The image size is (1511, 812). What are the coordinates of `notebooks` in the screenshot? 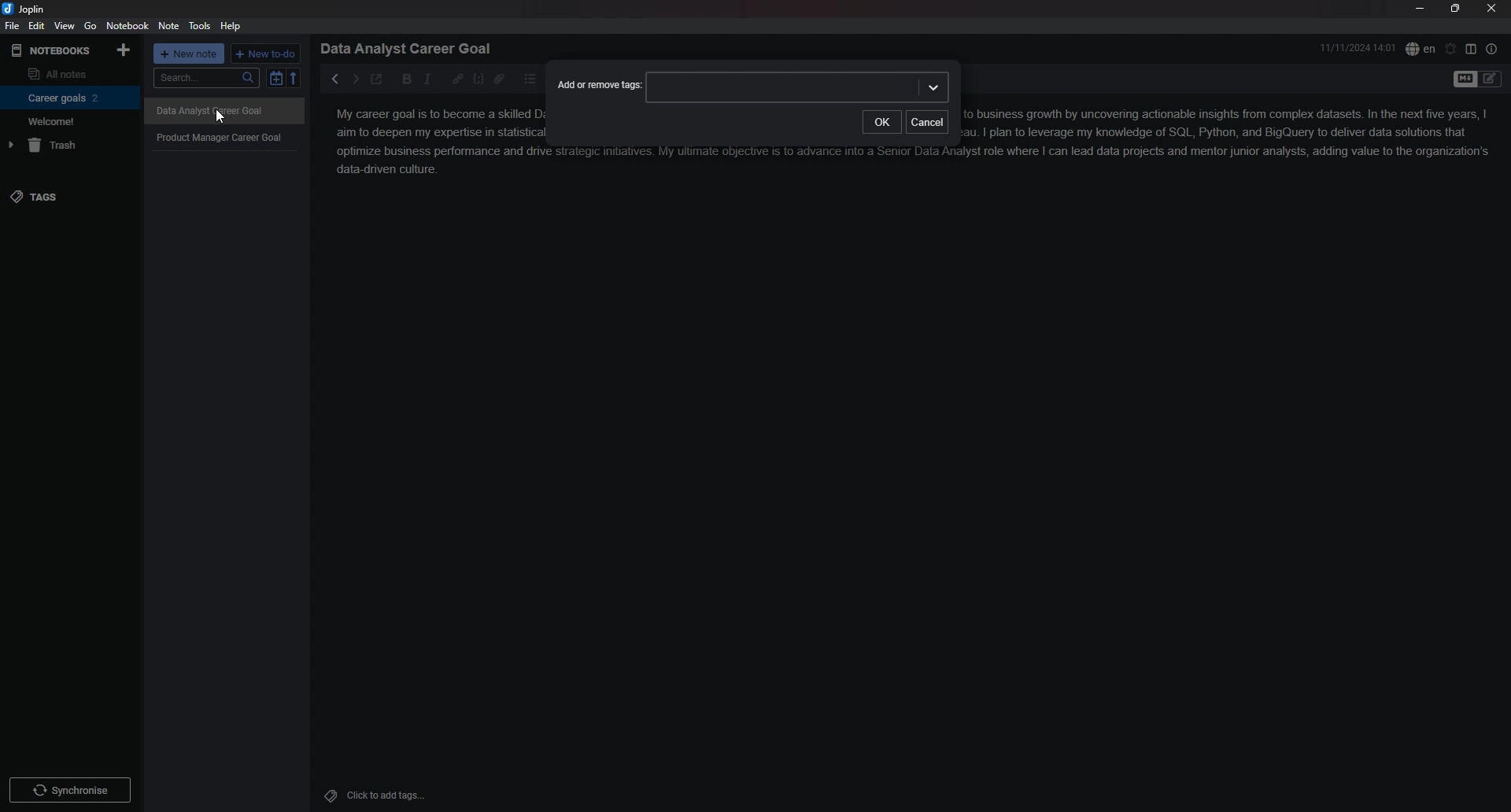 It's located at (53, 51).